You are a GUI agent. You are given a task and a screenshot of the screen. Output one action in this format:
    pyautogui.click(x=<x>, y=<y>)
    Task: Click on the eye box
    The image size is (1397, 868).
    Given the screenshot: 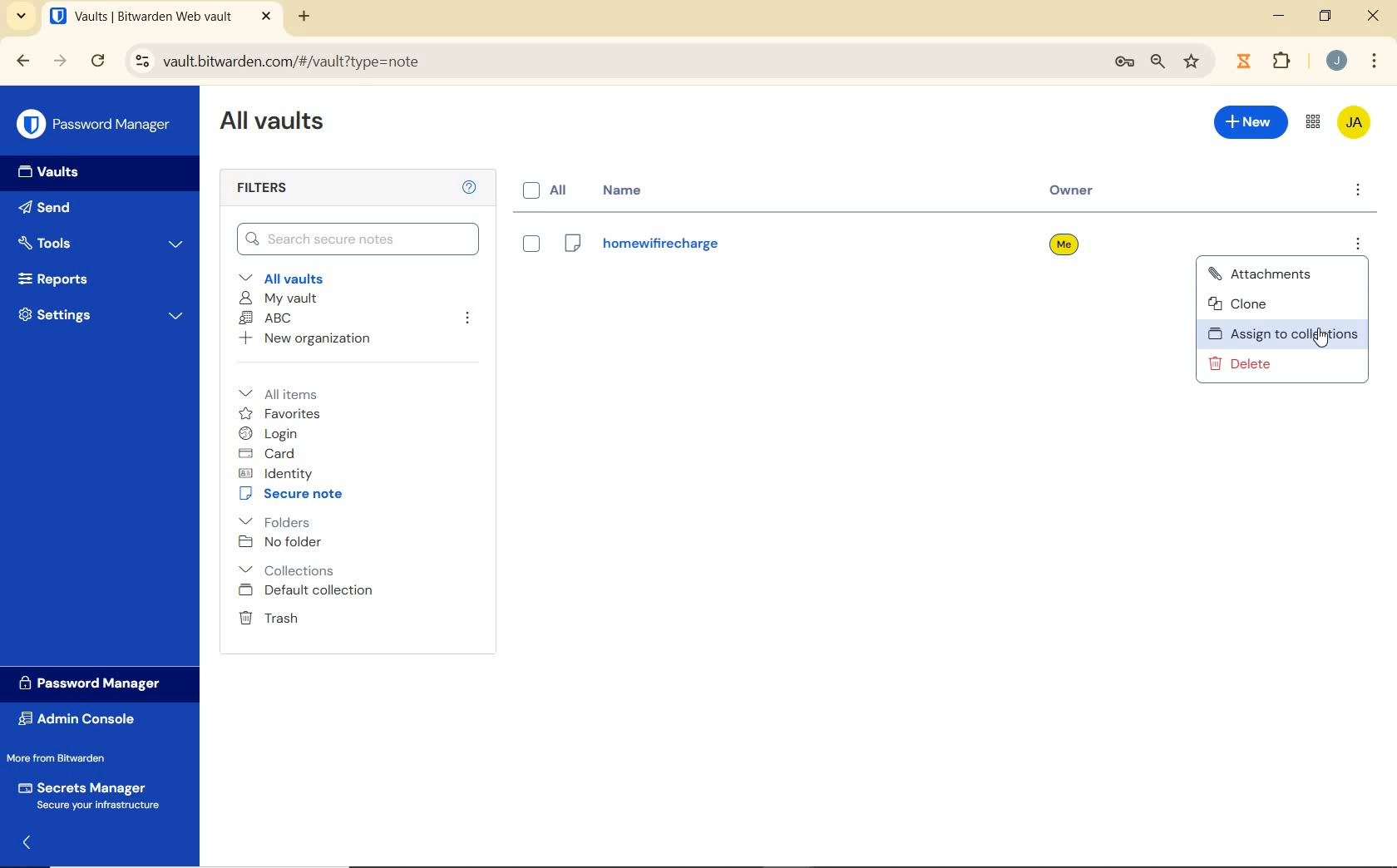 What is the action you would take?
    pyautogui.click(x=530, y=244)
    